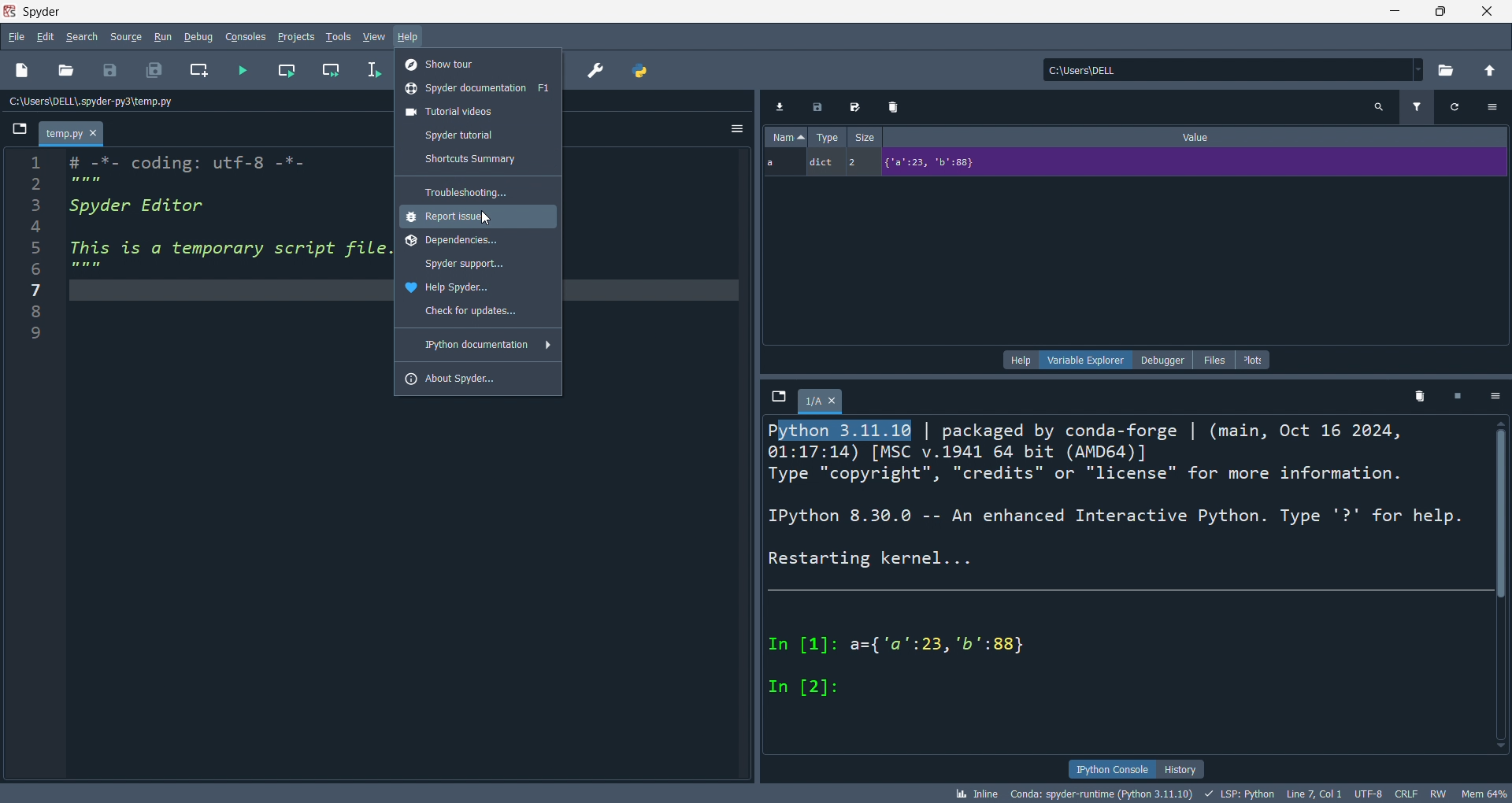 The image size is (1512, 803). Describe the element at coordinates (1086, 360) in the screenshot. I see `variable explorer` at that location.